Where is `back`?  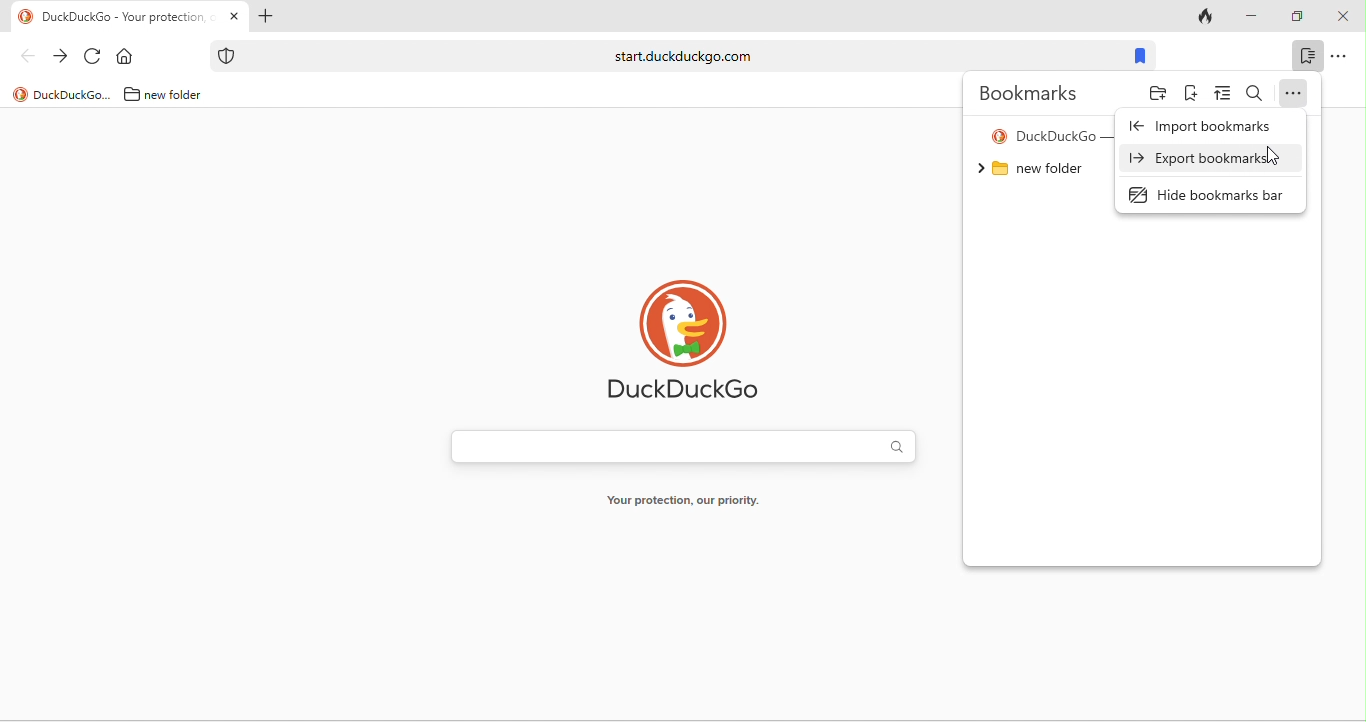 back is located at coordinates (27, 56).